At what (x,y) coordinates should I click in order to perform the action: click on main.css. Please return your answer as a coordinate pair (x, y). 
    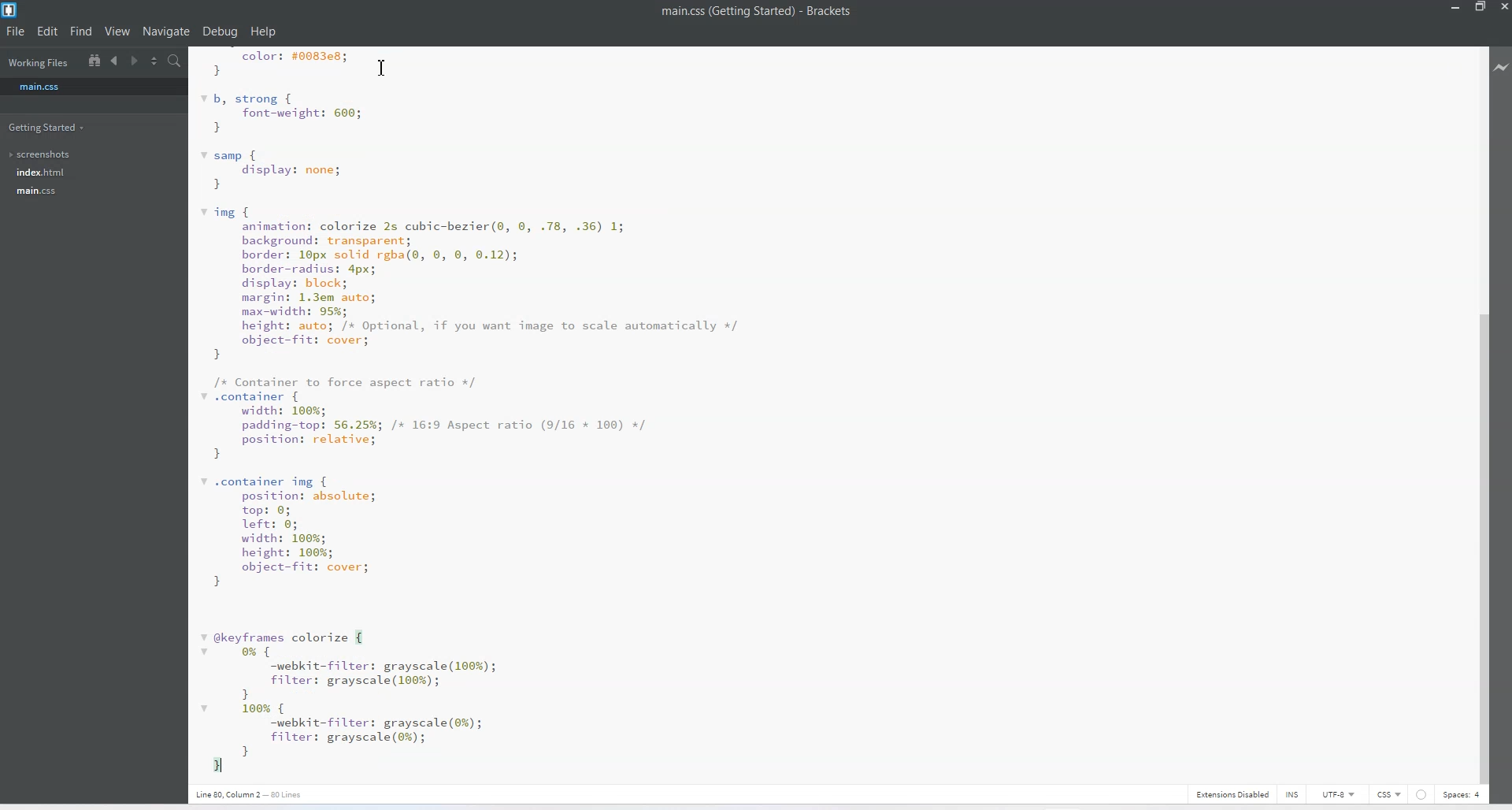
    Looking at the image, I should click on (94, 87).